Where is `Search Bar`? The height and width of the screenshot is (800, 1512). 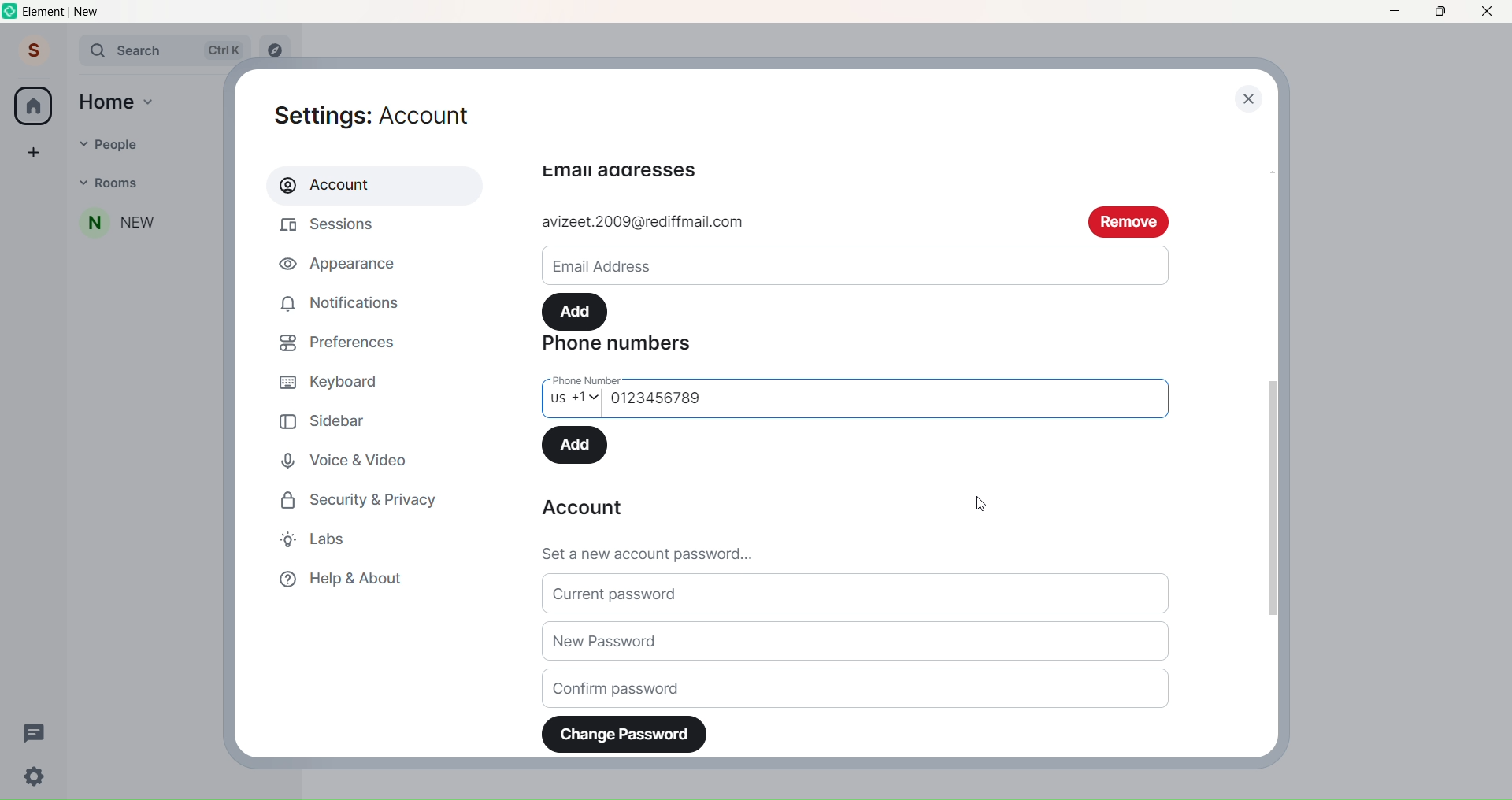
Search Bar is located at coordinates (164, 50).